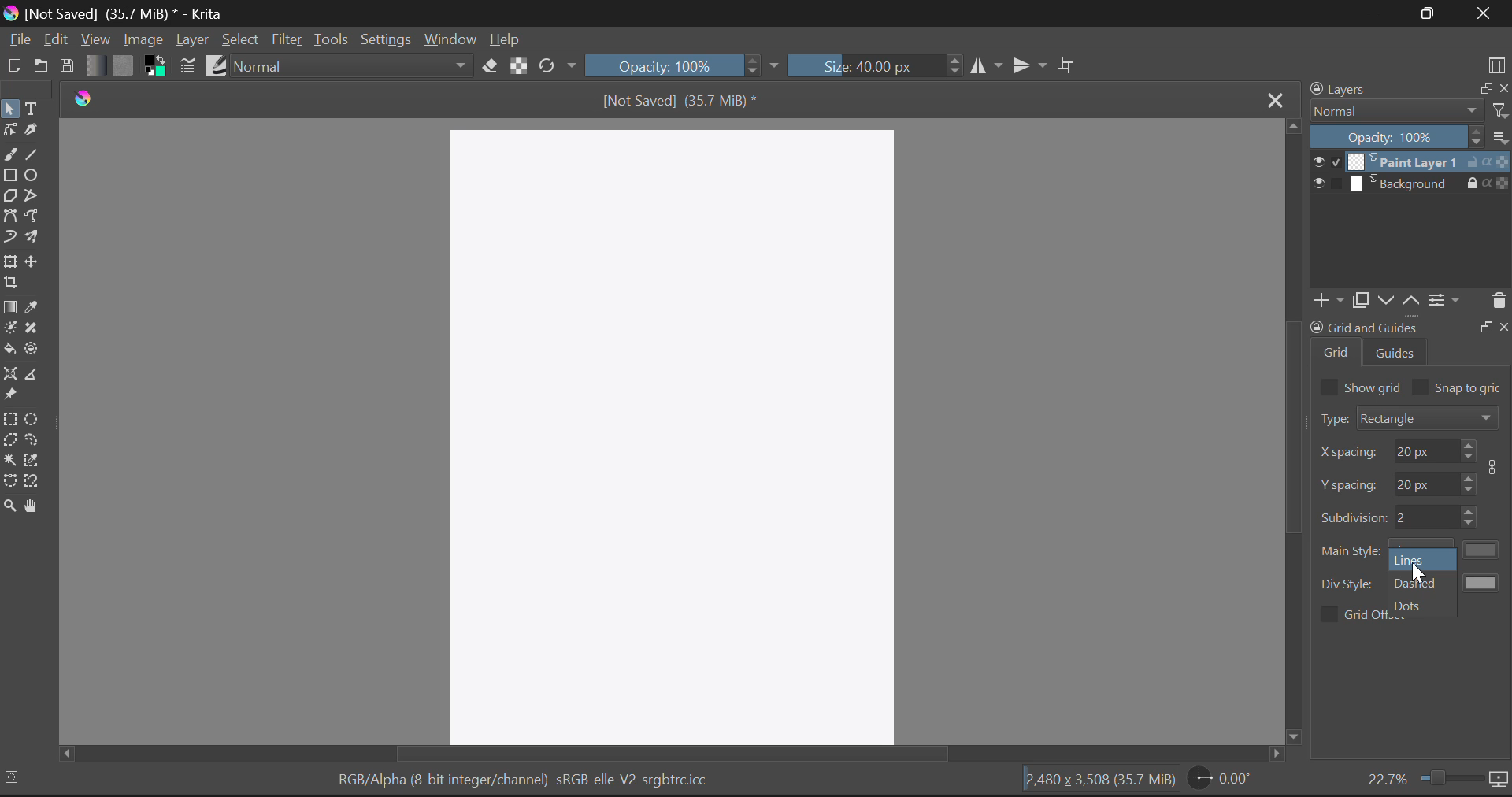 The width and height of the screenshot is (1512, 797). What do you see at coordinates (873, 65) in the screenshot?
I see `Brush Size` at bounding box center [873, 65].